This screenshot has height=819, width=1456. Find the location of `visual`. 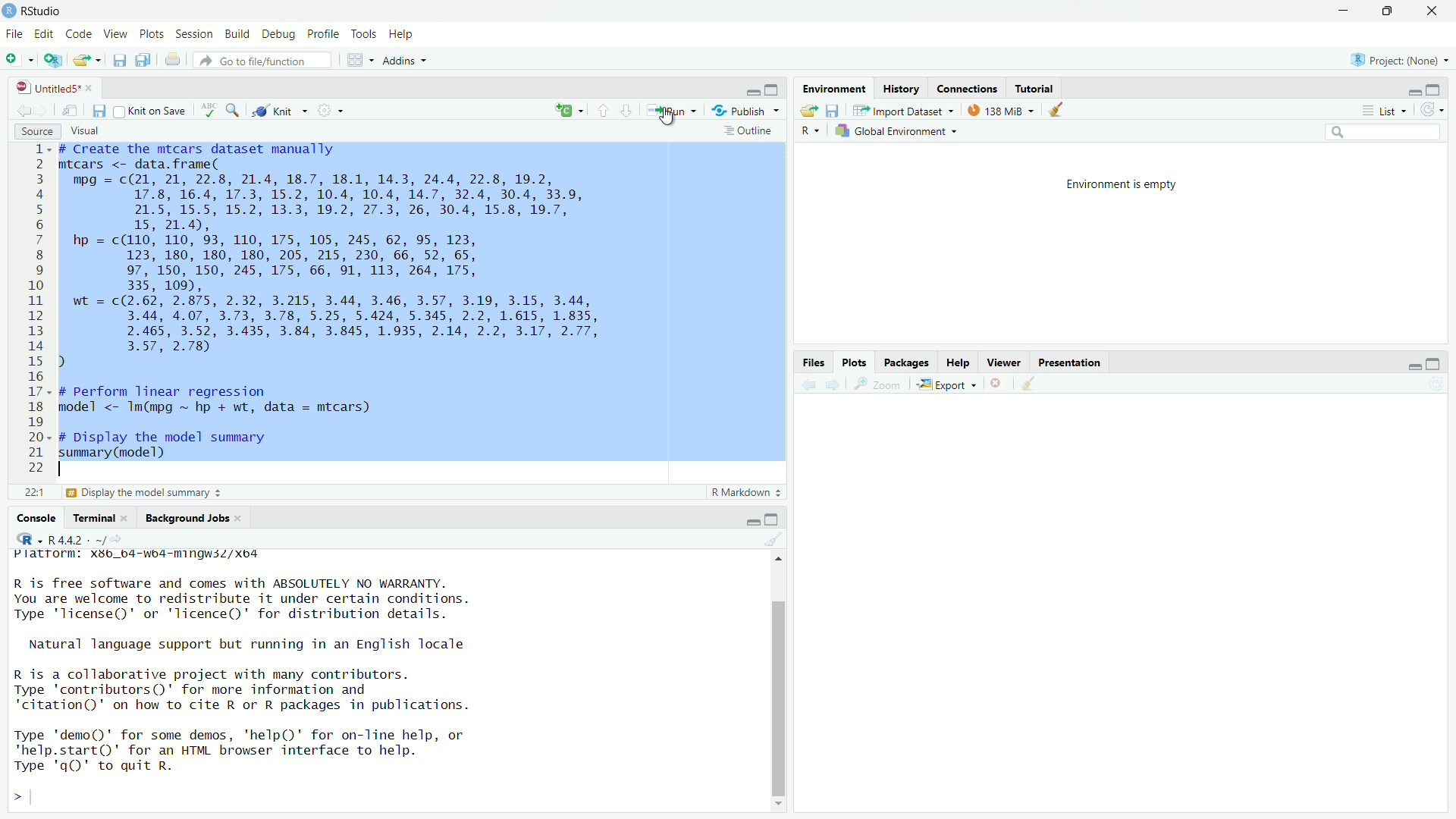

visual is located at coordinates (85, 130).